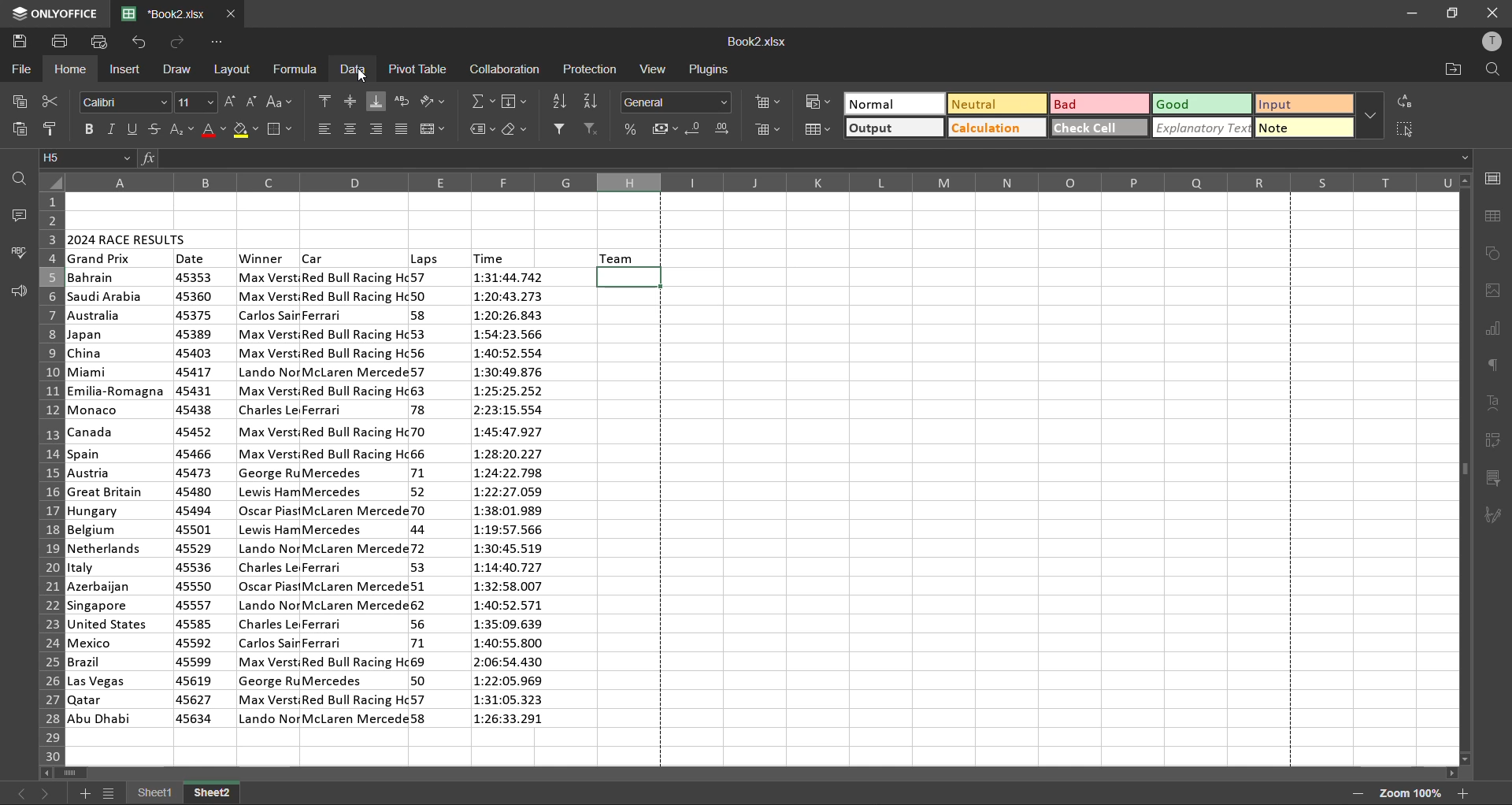 This screenshot has width=1512, height=805. I want to click on filename, so click(757, 43).